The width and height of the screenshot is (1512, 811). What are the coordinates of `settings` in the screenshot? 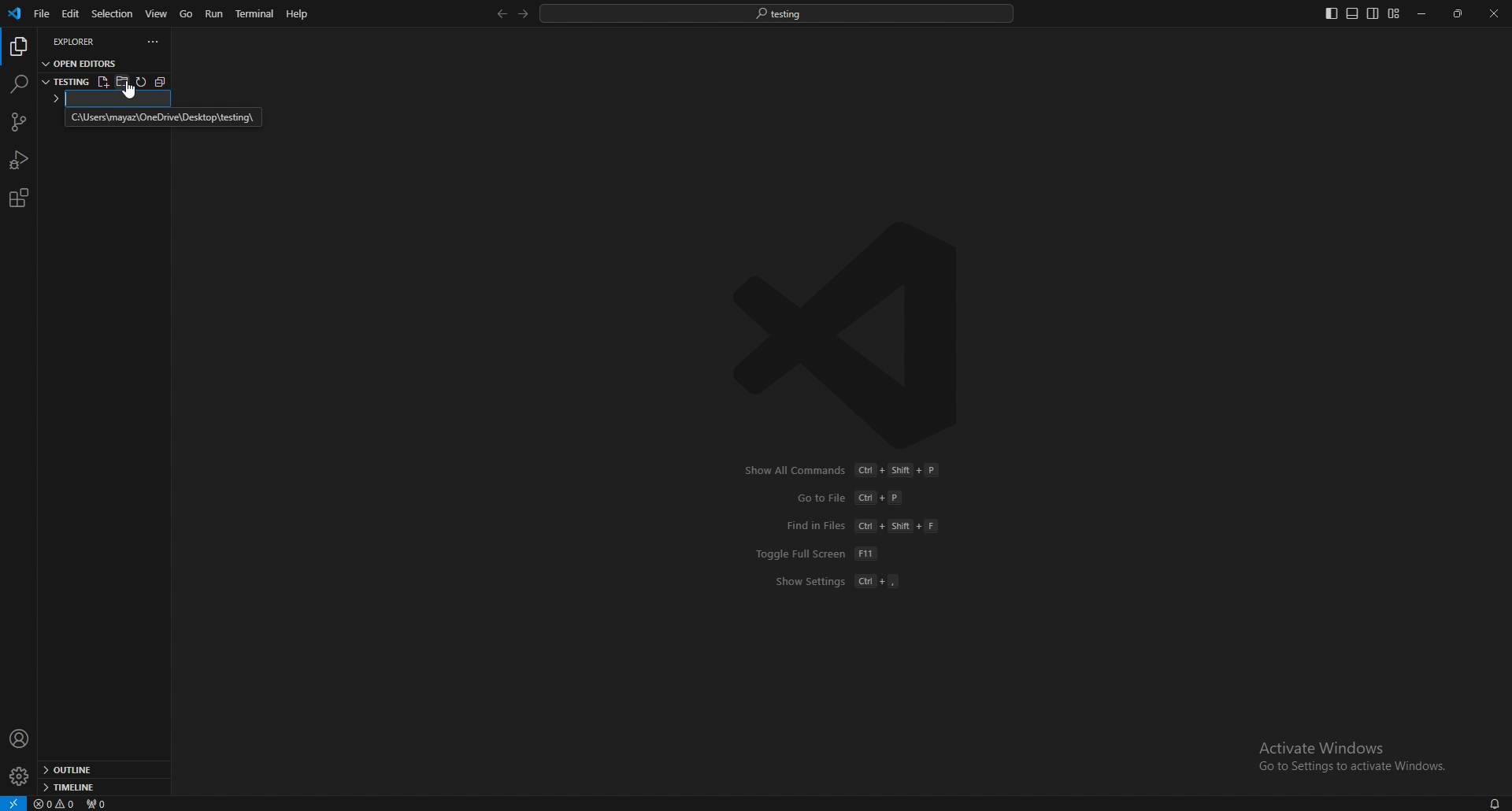 It's located at (18, 777).